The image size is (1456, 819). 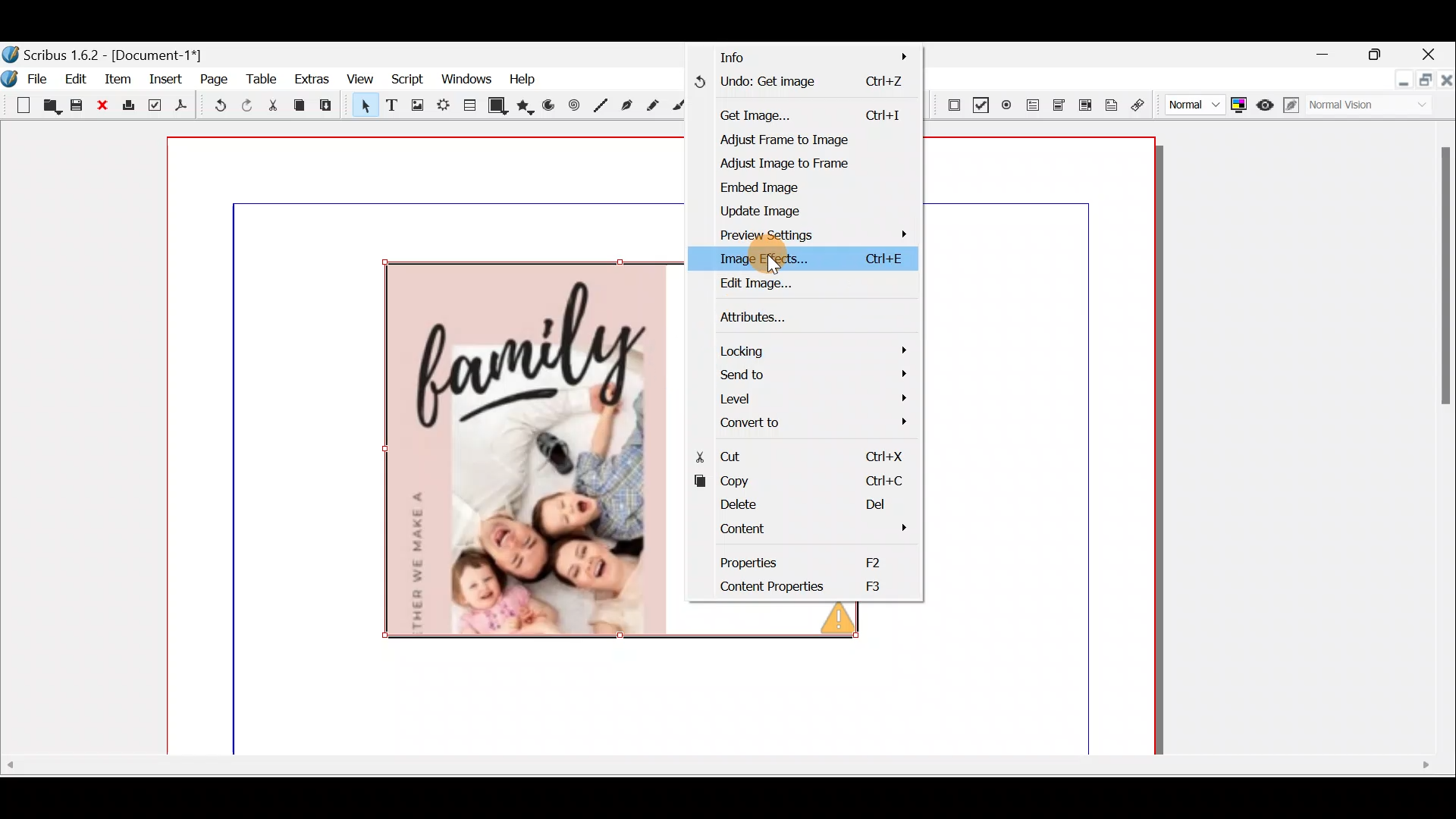 I want to click on Content, so click(x=799, y=530).